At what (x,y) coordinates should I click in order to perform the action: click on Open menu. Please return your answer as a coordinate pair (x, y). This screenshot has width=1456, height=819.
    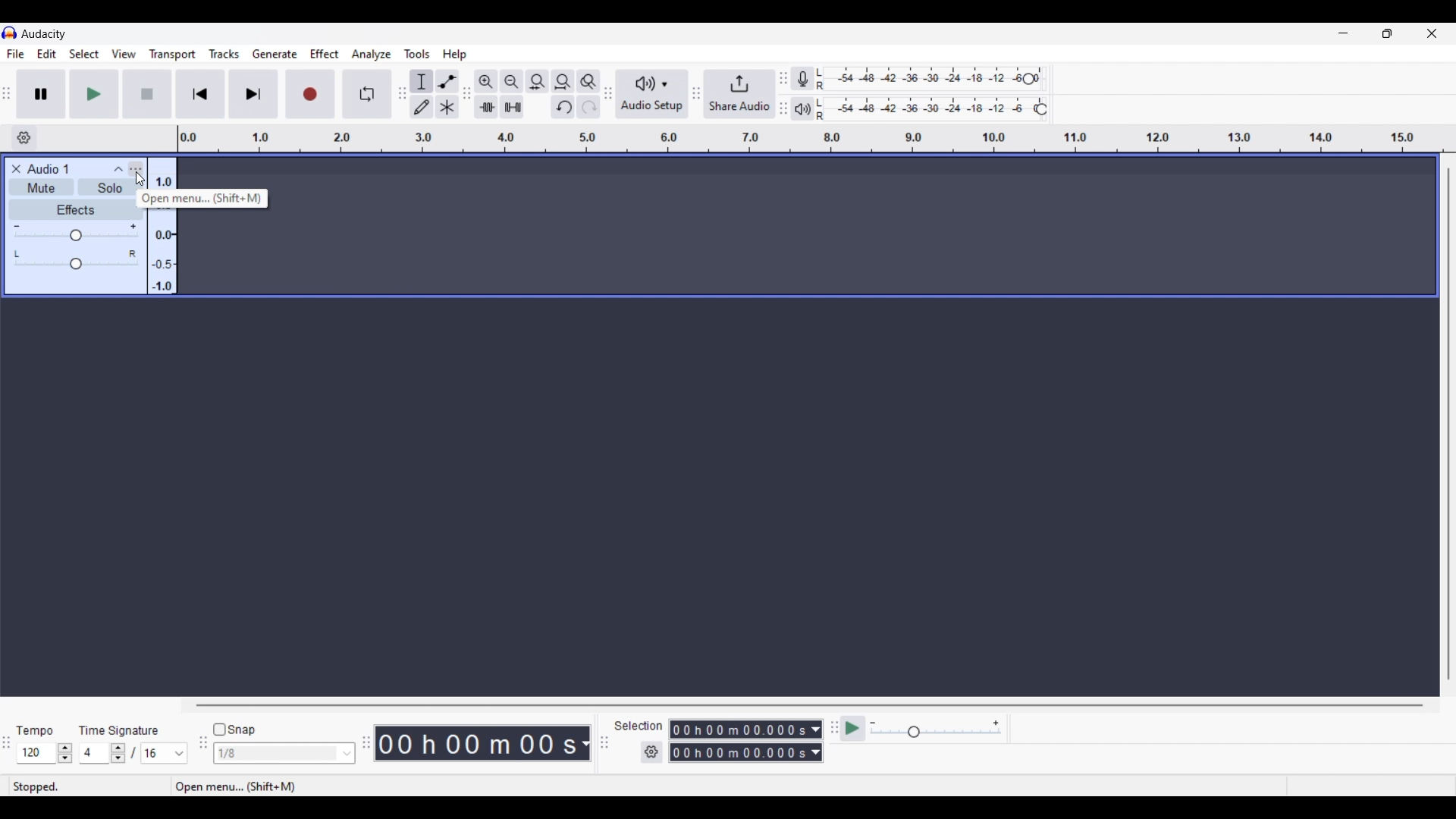
    Looking at the image, I should click on (135, 169).